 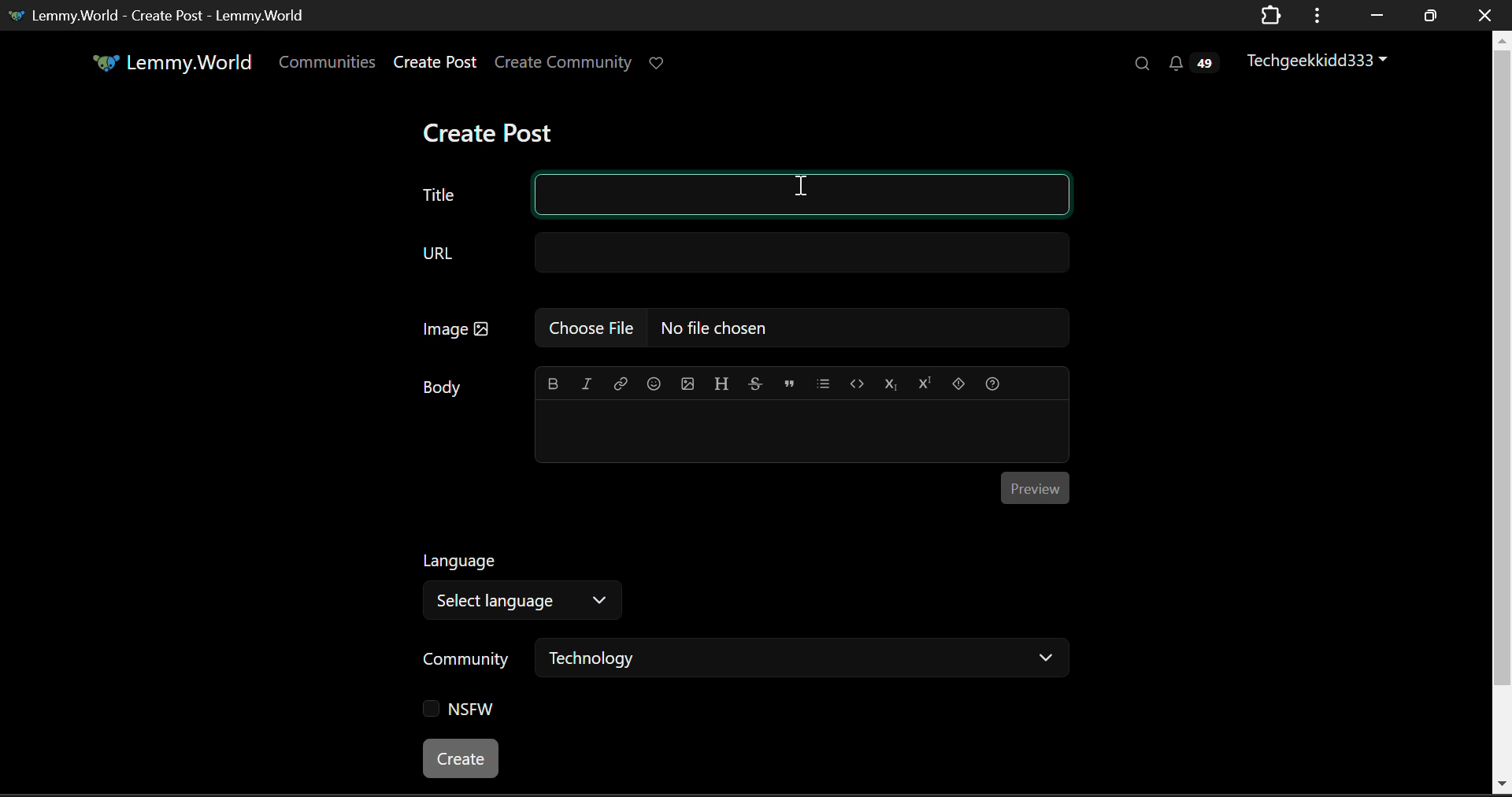 What do you see at coordinates (585, 385) in the screenshot?
I see `Italic` at bounding box center [585, 385].